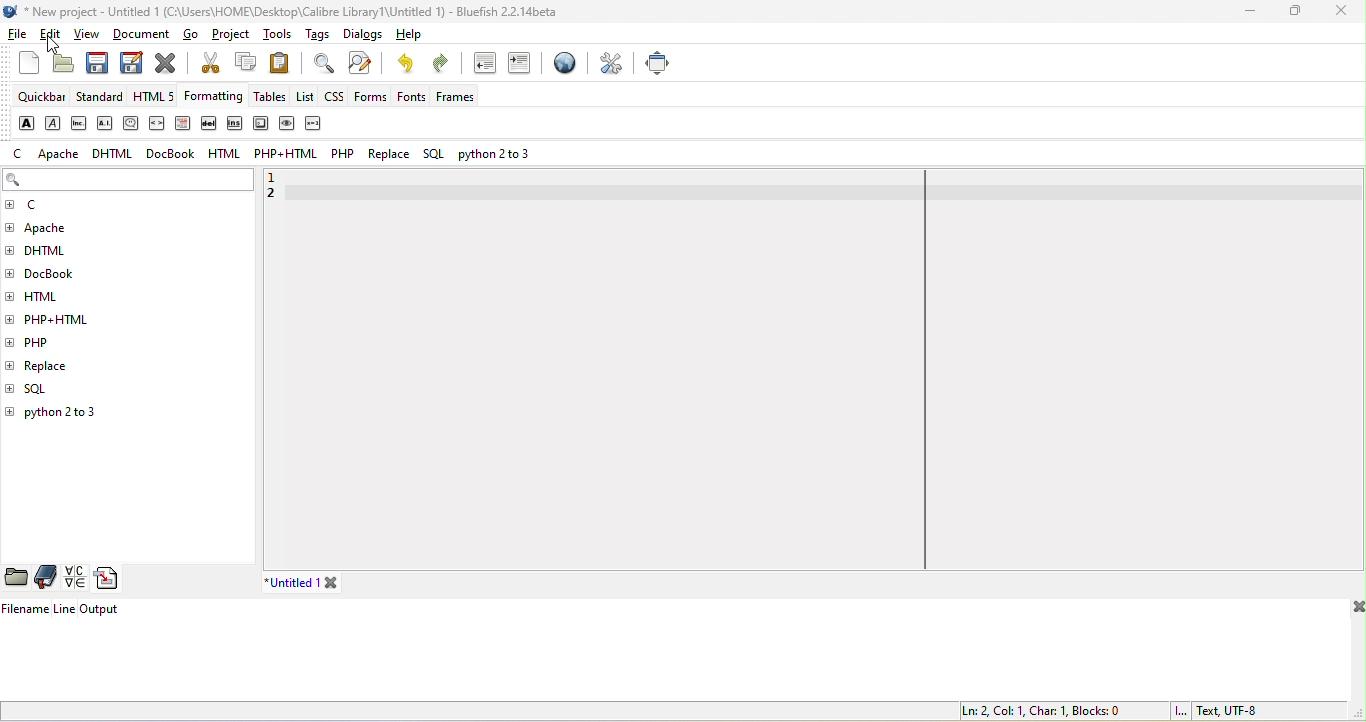  Describe the element at coordinates (74, 578) in the screenshot. I see `charmap` at that location.